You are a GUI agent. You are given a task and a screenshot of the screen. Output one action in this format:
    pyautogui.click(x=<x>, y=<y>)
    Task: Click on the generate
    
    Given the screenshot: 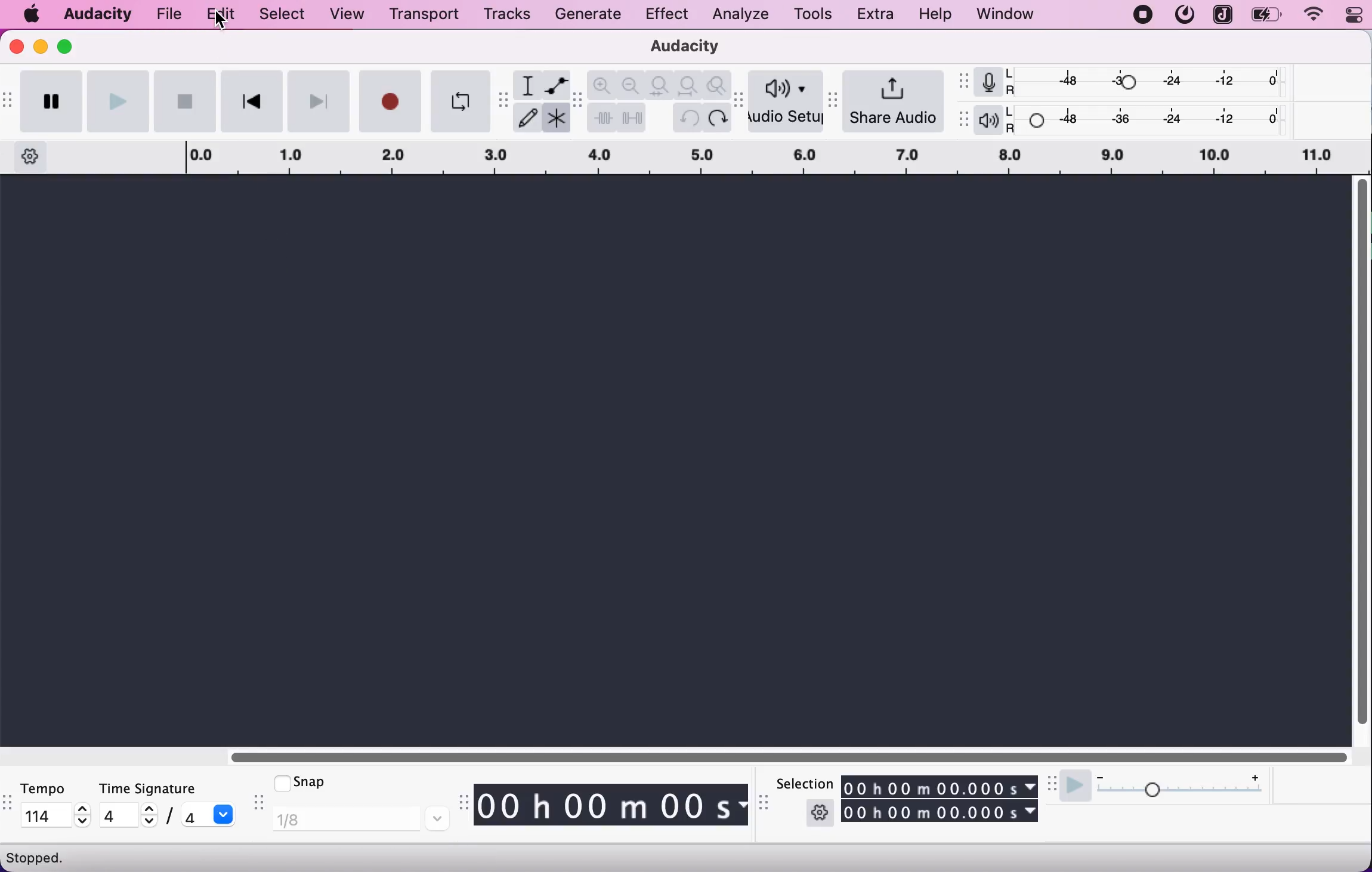 What is the action you would take?
    pyautogui.click(x=592, y=17)
    